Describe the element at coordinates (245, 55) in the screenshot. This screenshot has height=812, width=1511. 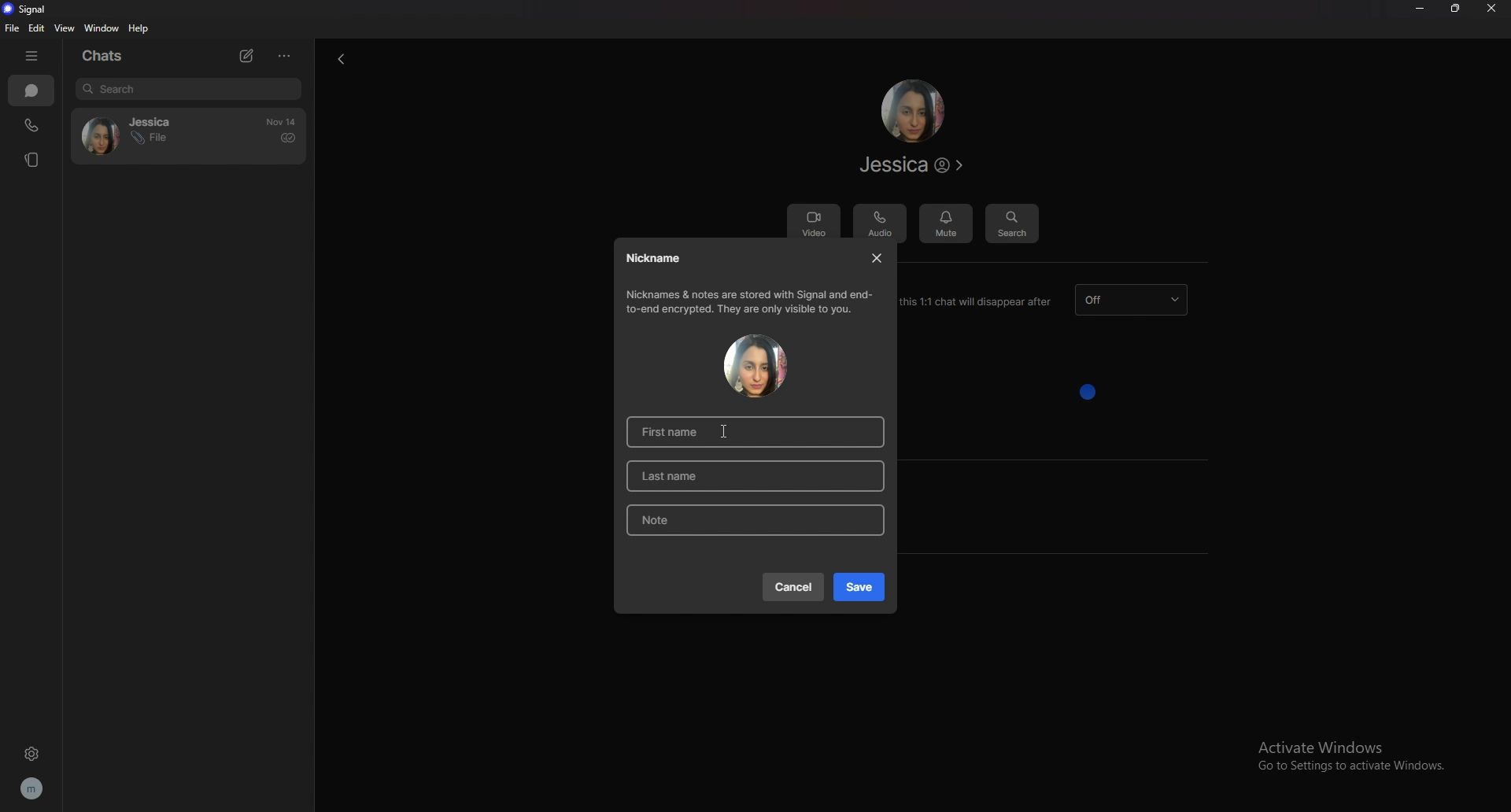
I see `new chat` at that location.